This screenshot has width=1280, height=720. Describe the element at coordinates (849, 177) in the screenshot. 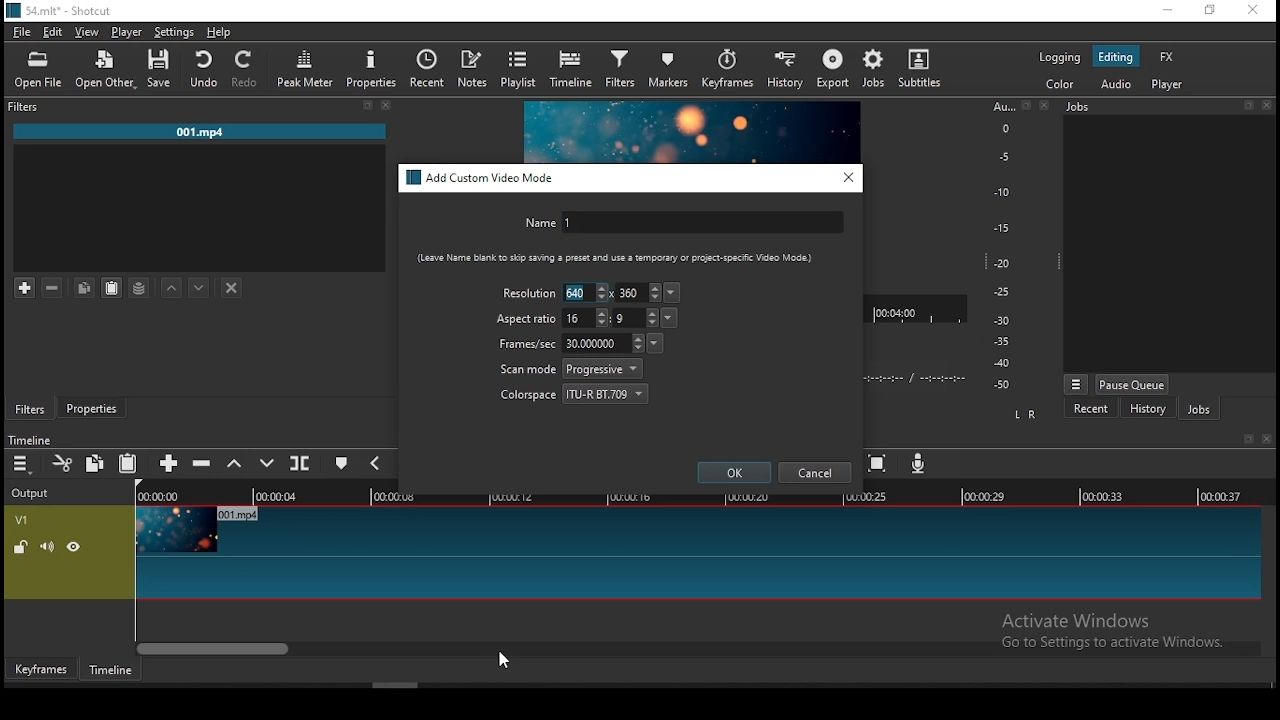

I see `close window` at that location.